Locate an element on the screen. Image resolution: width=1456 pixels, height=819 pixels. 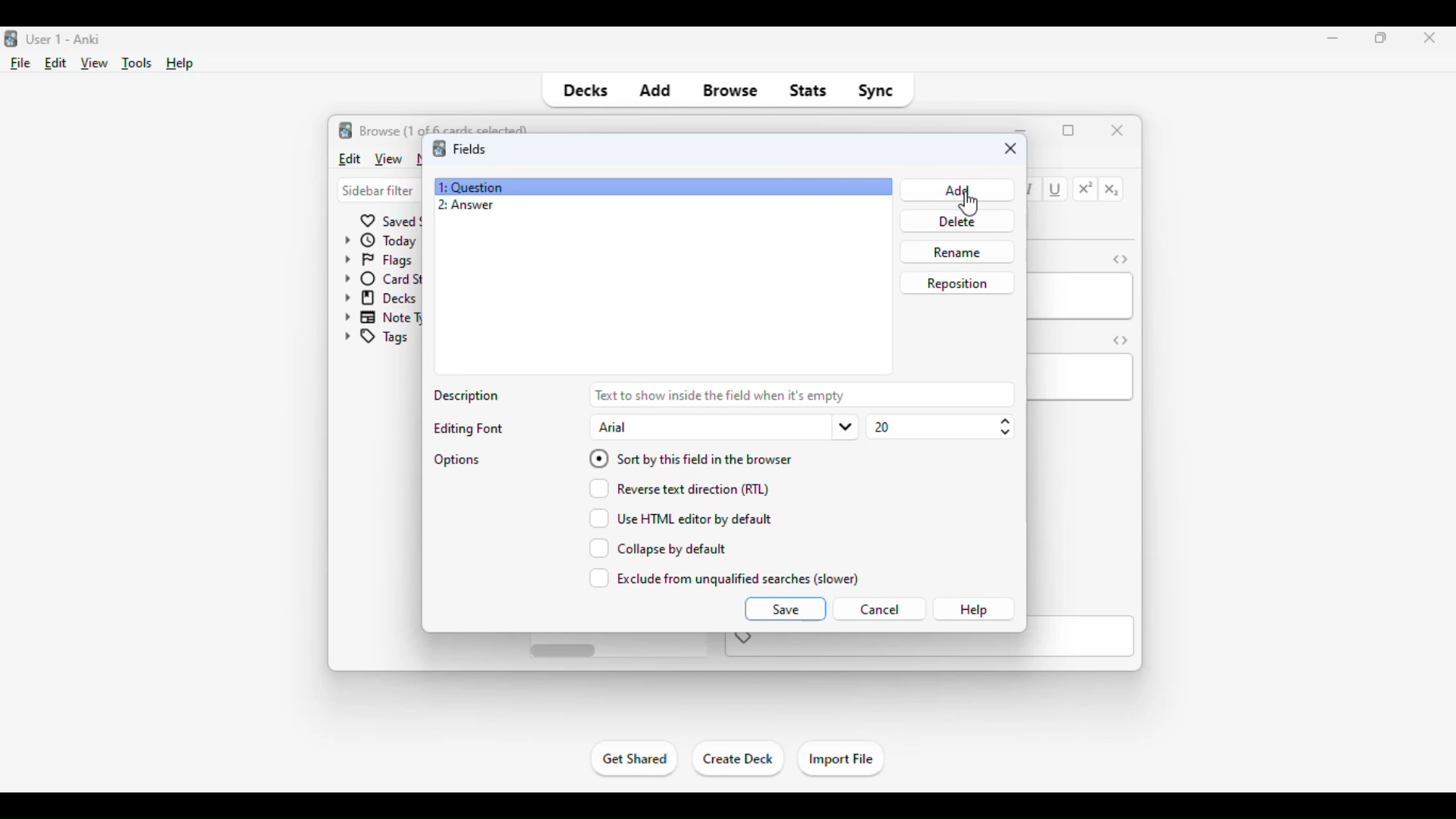
get shared is located at coordinates (635, 758).